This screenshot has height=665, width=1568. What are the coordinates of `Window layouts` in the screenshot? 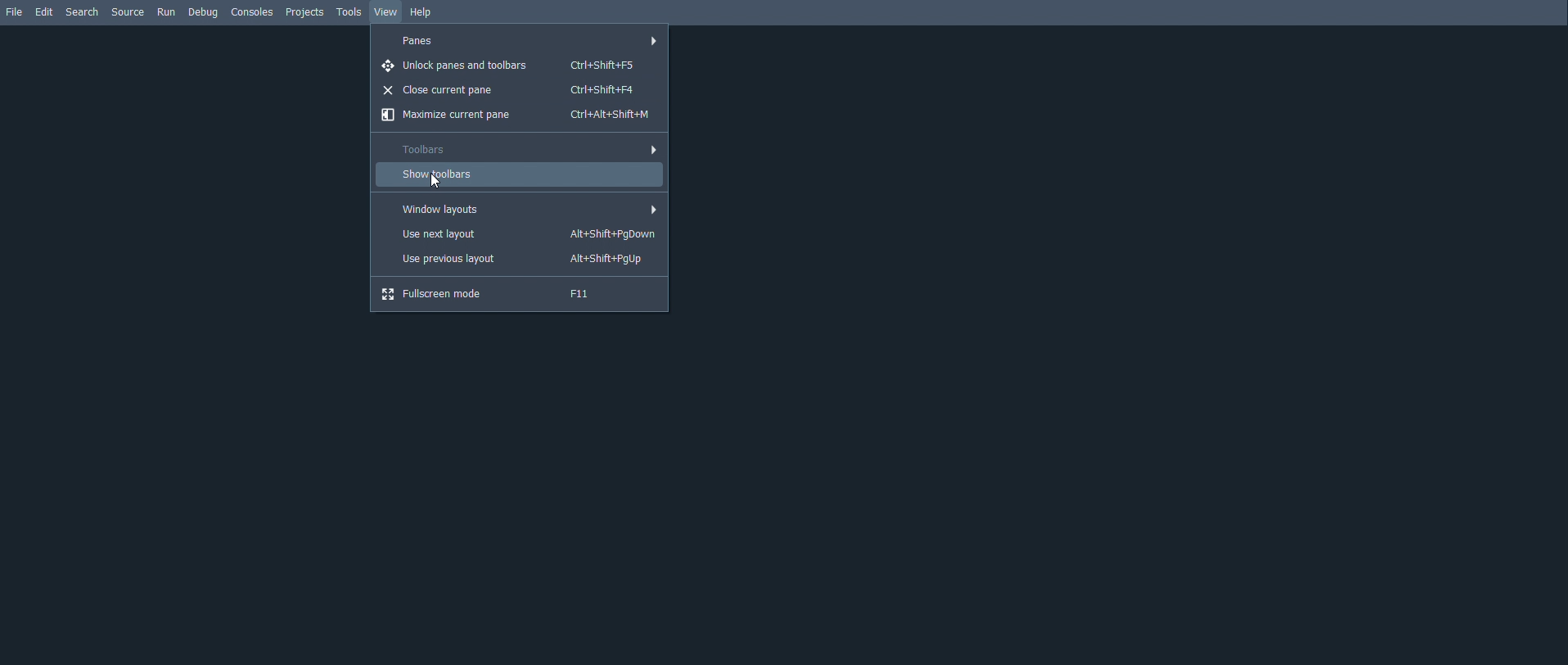 It's located at (525, 208).